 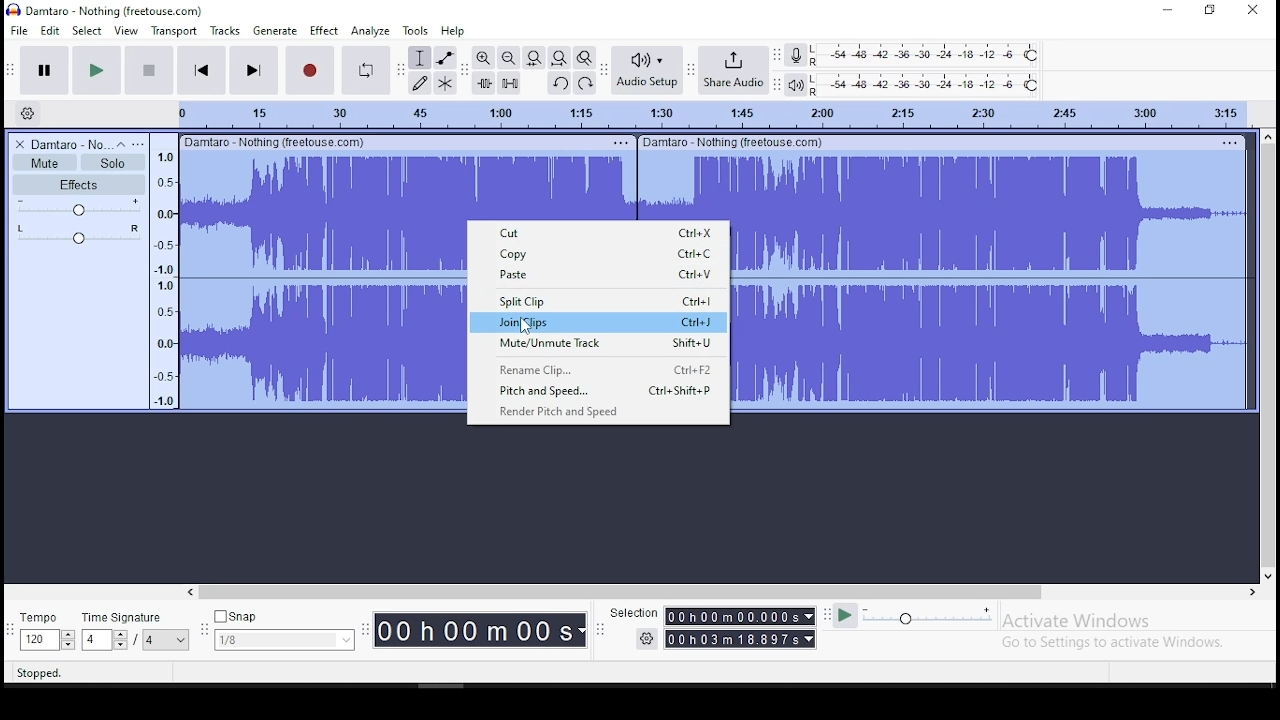 What do you see at coordinates (794, 56) in the screenshot?
I see `record meter` at bounding box center [794, 56].